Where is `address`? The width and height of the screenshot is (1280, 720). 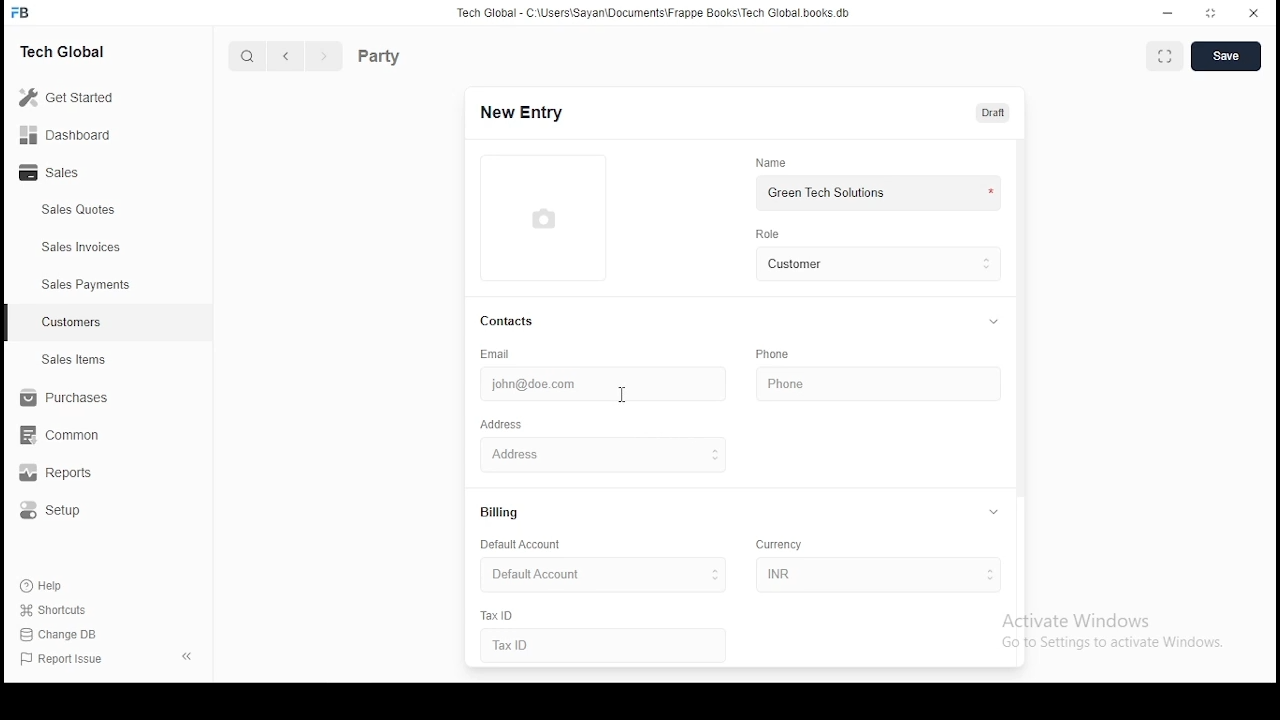 address is located at coordinates (576, 452).